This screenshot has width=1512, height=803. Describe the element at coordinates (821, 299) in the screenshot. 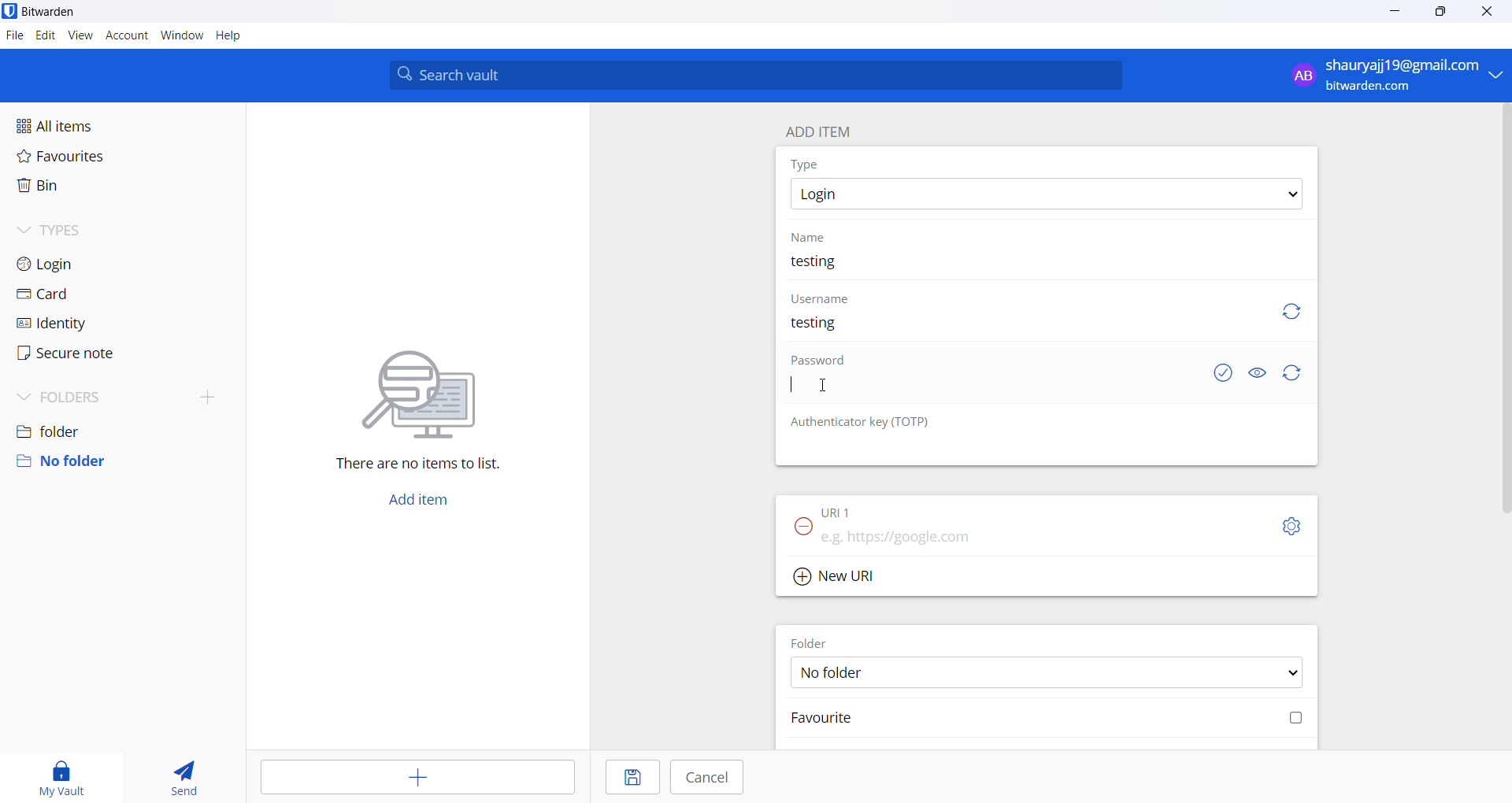

I see `username heading` at that location.